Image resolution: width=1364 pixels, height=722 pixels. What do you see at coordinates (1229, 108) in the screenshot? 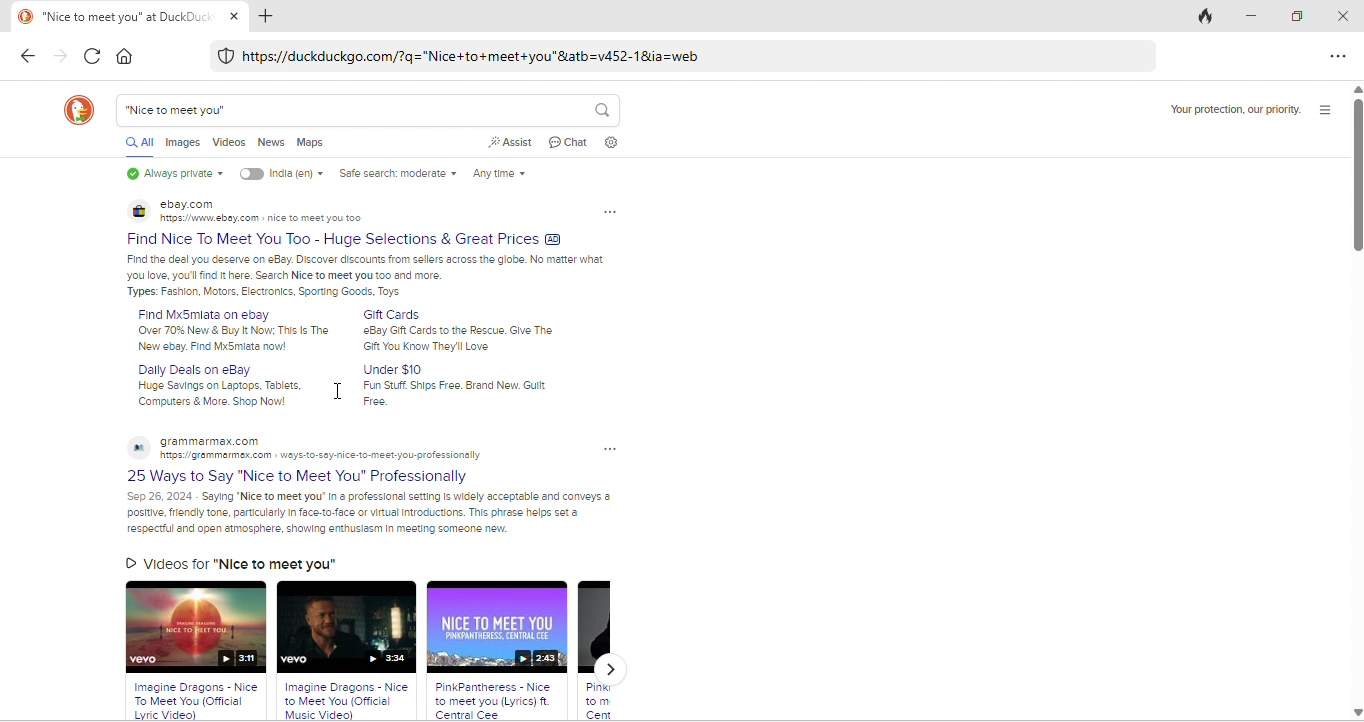
I see `text` at bounding box center [1229, 108].